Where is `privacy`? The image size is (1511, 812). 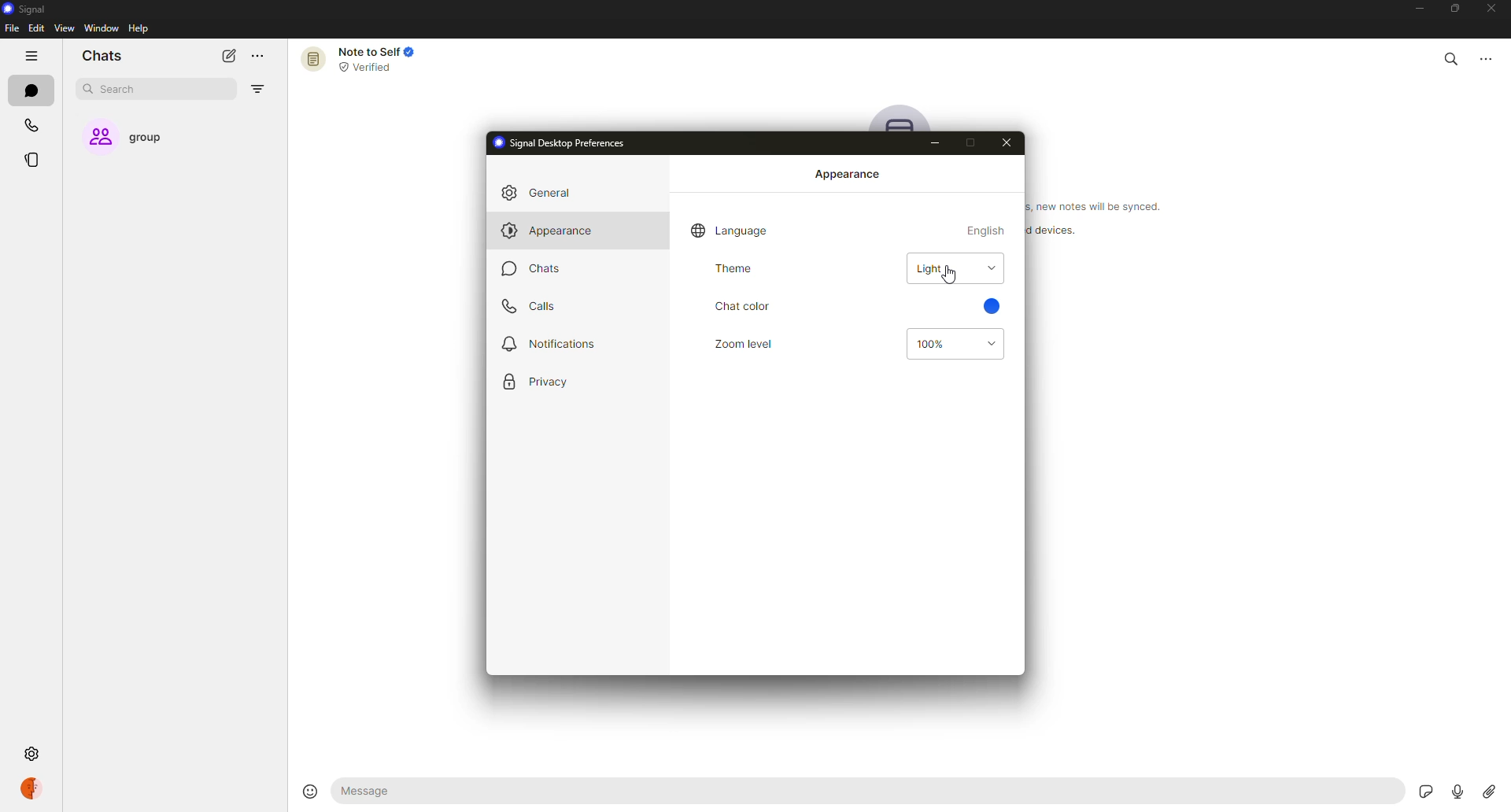
privacy is located at coordinates (539, 382).